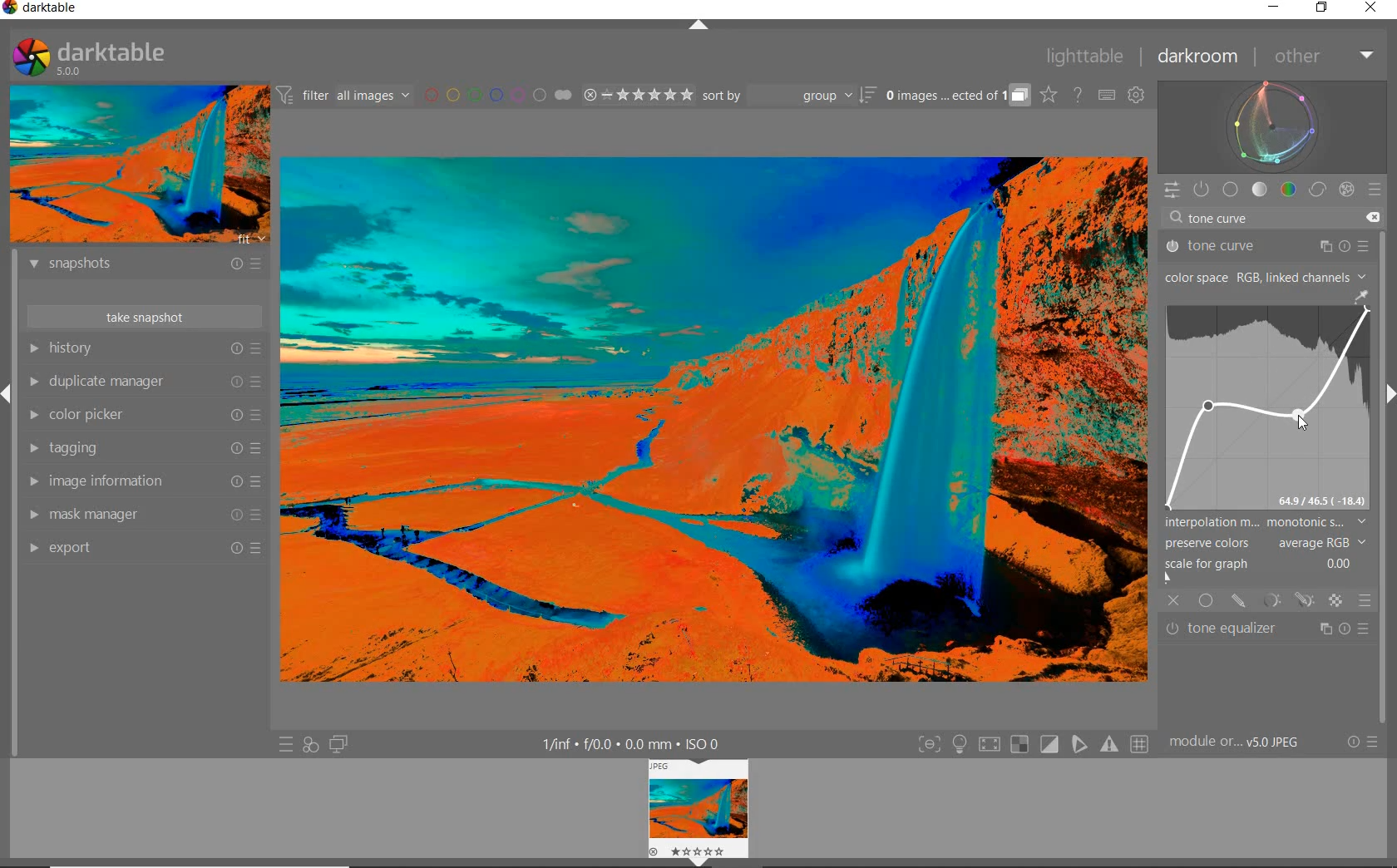  Describe the element at coordinates (1287, 190) in the screenshot. I see `color` at that location.